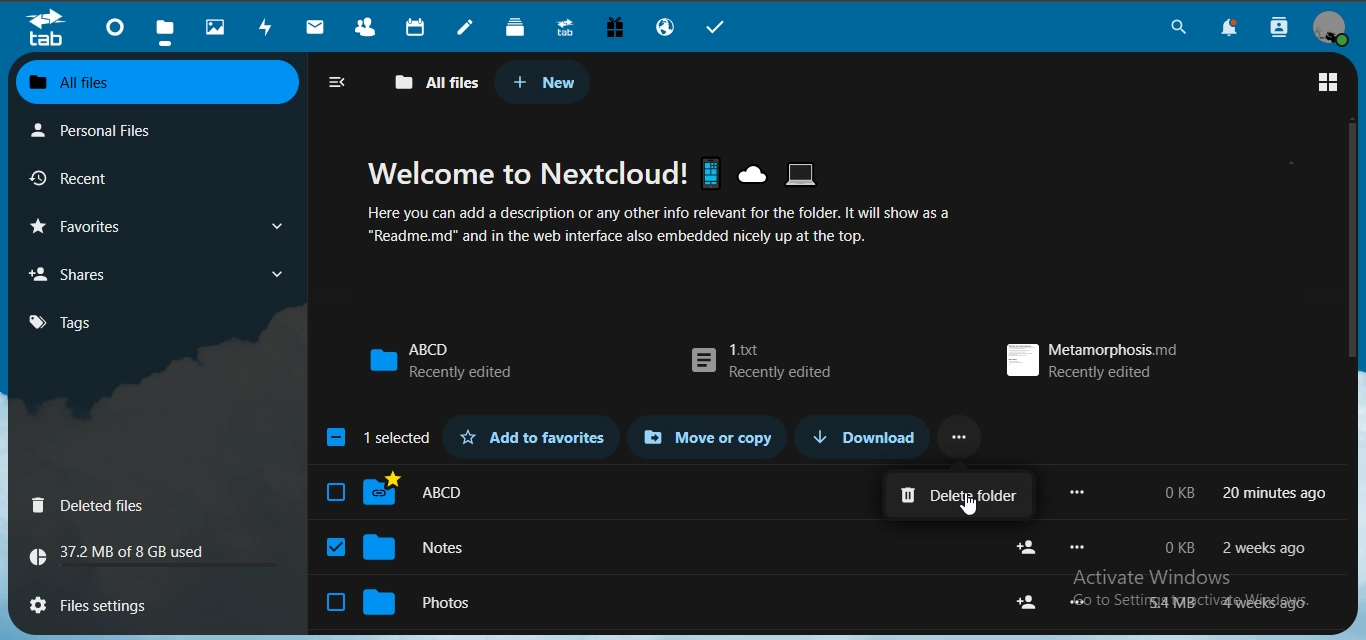 This screenshot has height=640, width=1366. What do you see at coordinates (597, 171) in the screenshot?
I see `Welcome to Nextcloud!` at bounding box center [597, 171].